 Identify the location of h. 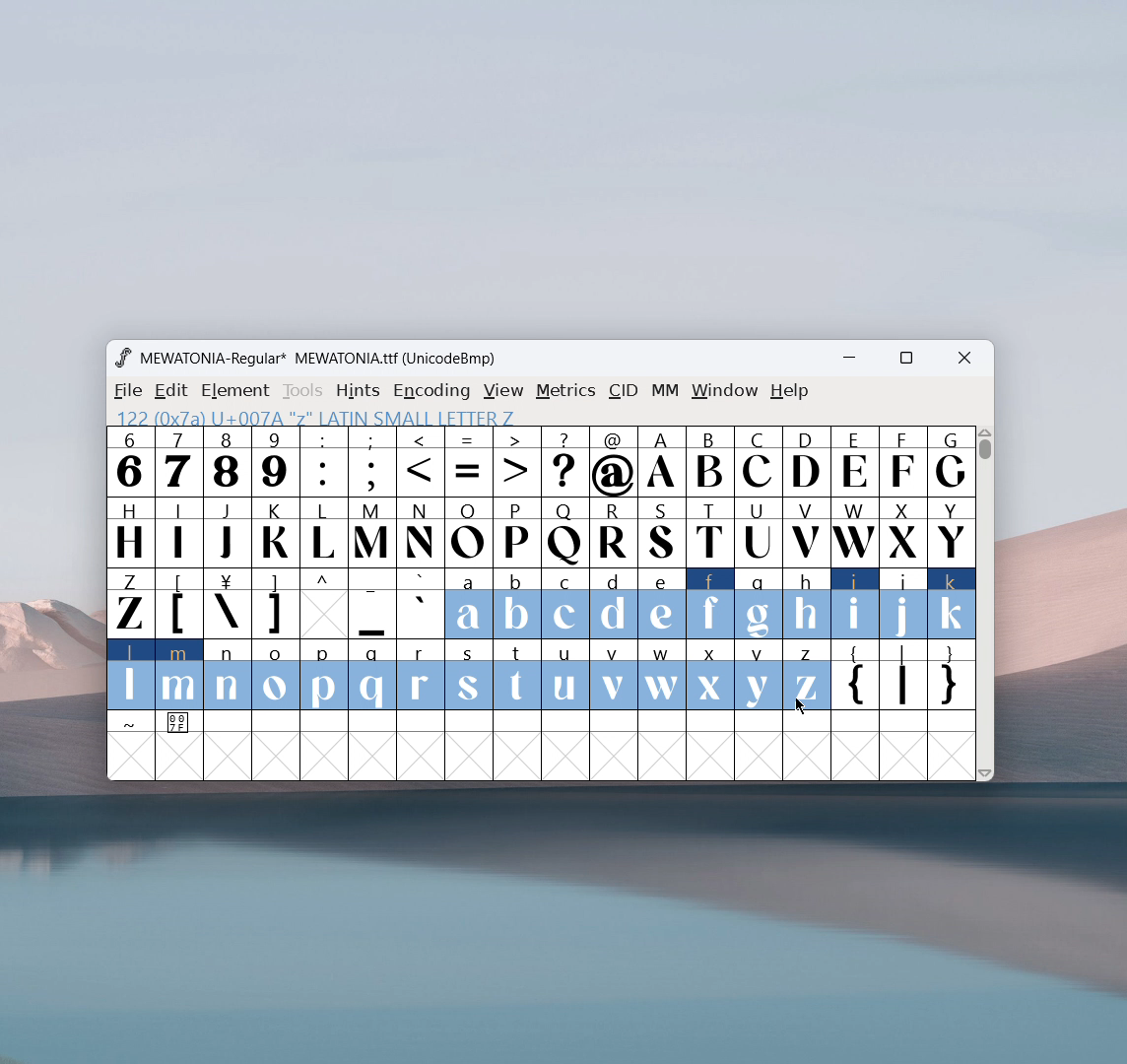
(805, 601).